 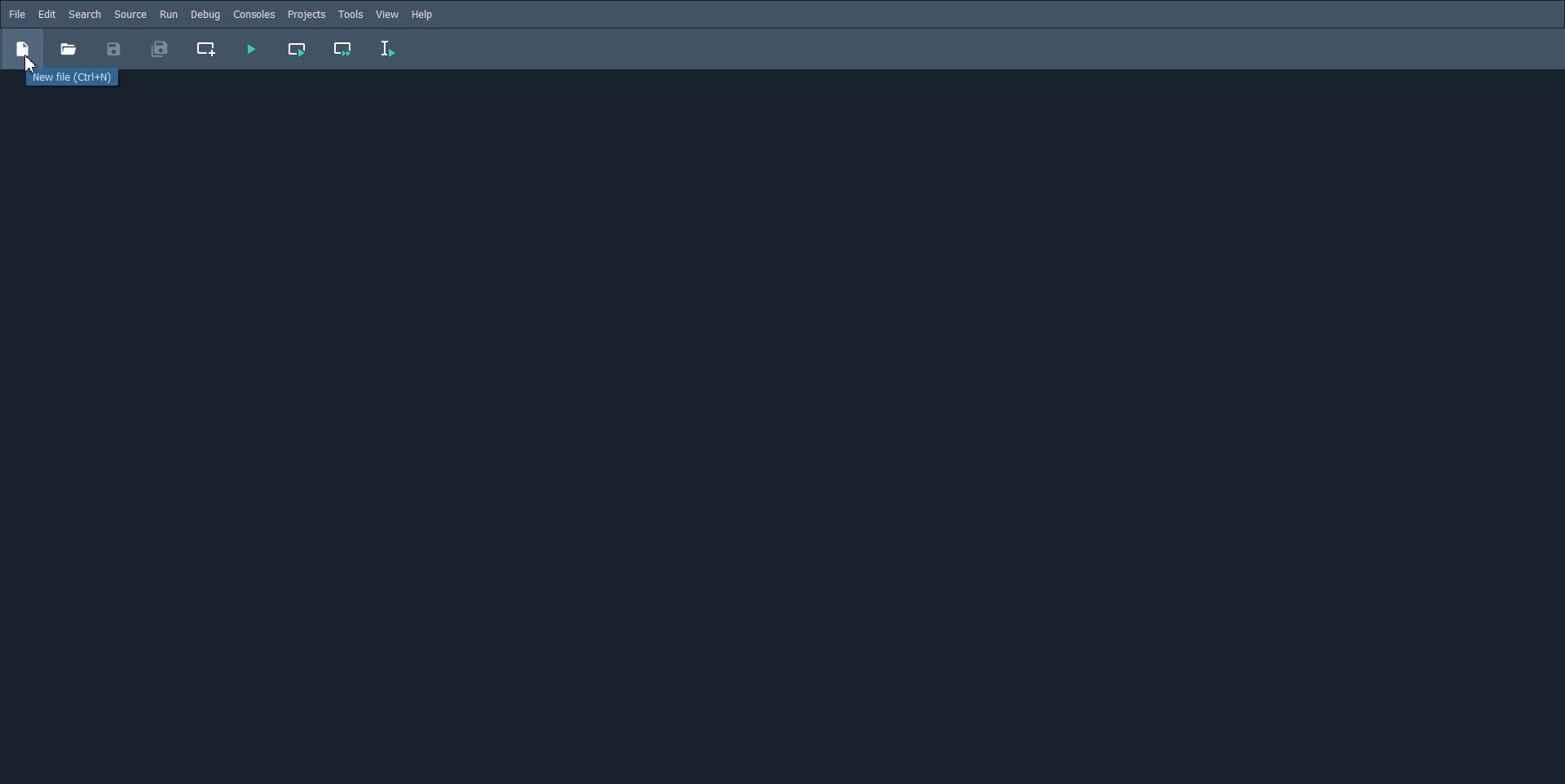 What do you see at coordinates (205, 14) in the screenshot?
I see `Debug` at bounding box center [205, 14].